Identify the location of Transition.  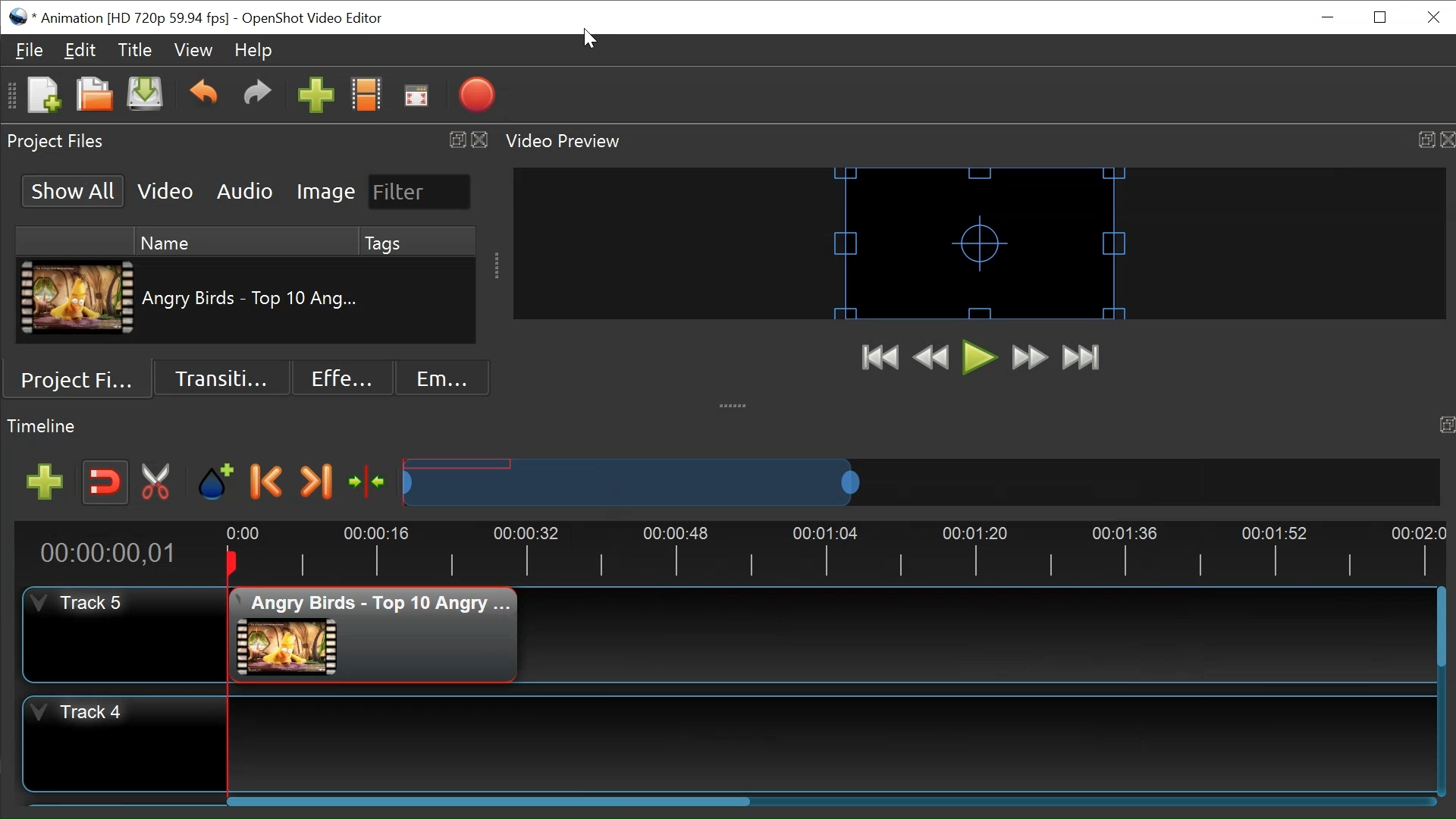
(222, 378).